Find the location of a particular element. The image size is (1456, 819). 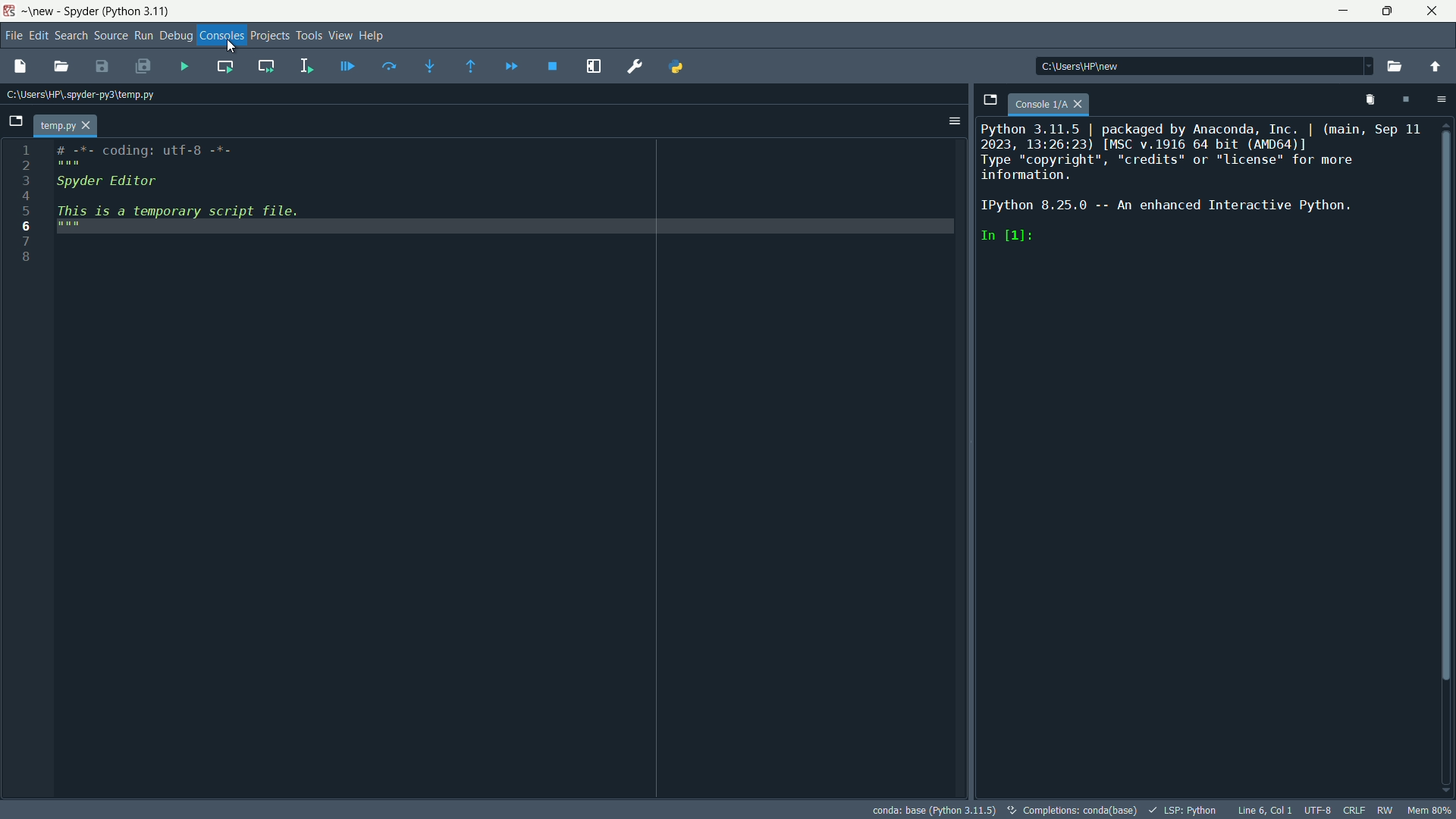

tools menu is located at coordinates (309, 36).